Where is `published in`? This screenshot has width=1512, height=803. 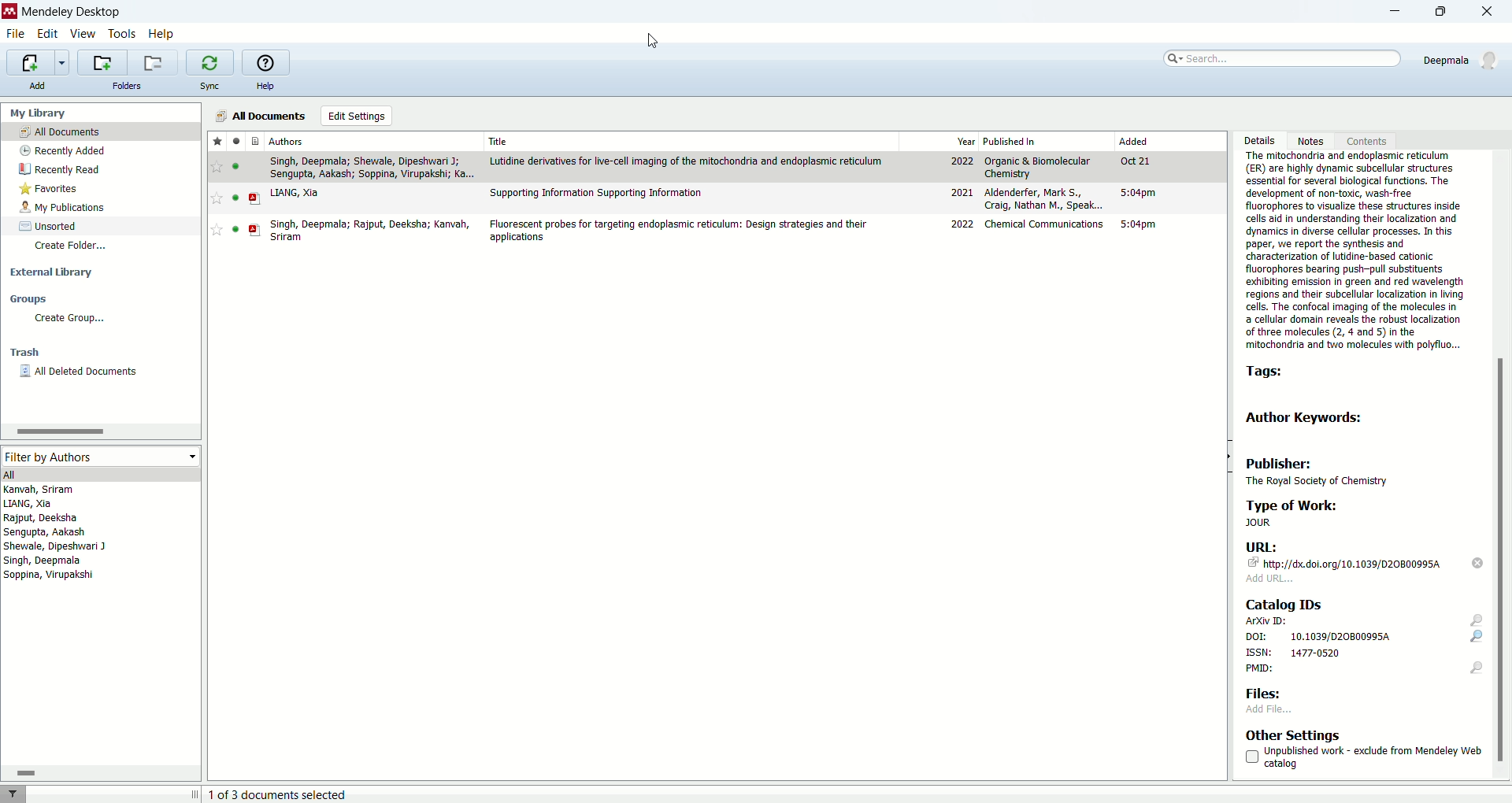
published in is located at coordinates (1010, 141).